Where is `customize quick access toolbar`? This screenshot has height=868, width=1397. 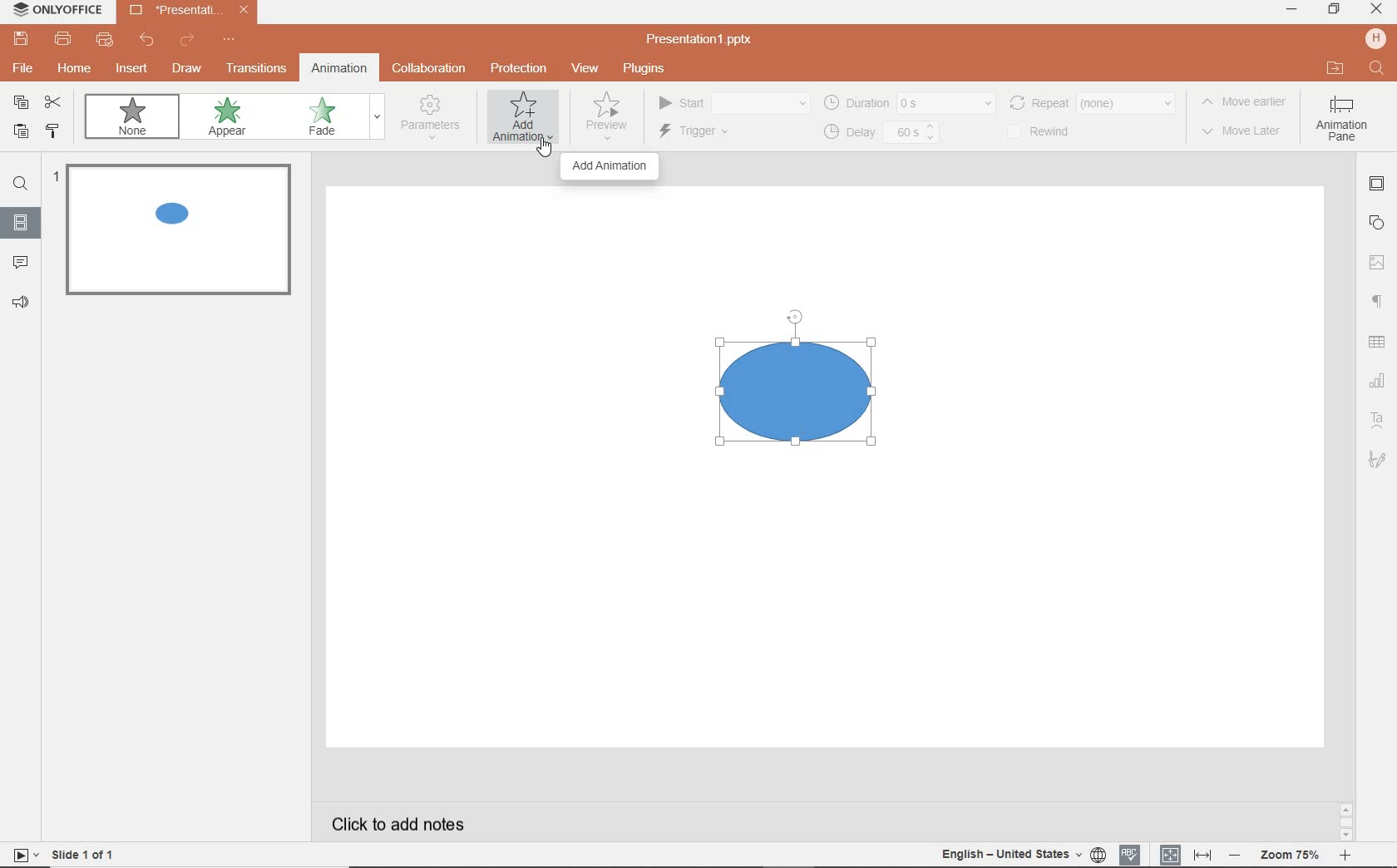
customize quick access toolbar is located at coordinates (230, 41).